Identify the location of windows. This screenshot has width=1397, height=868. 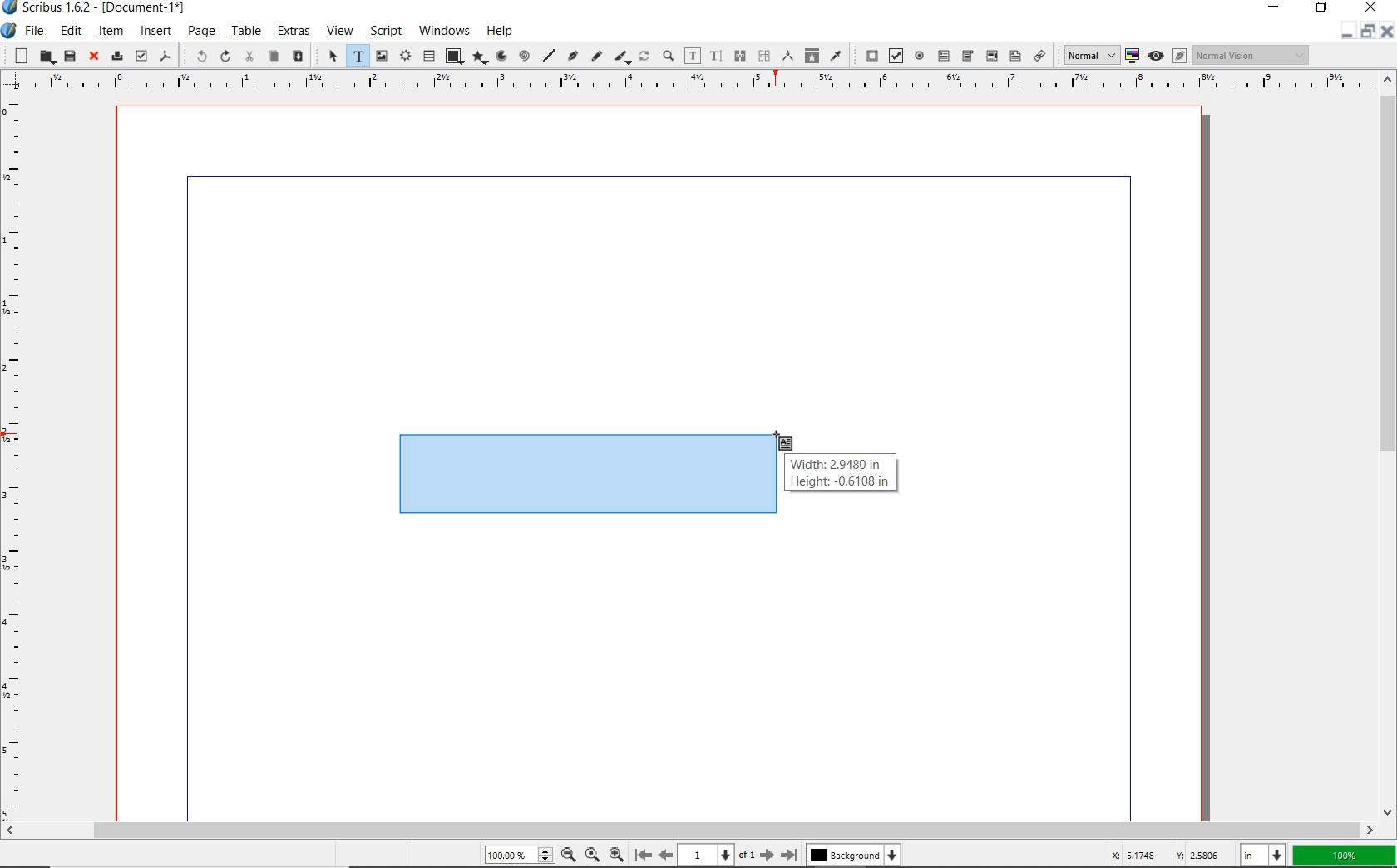
(445, 32).